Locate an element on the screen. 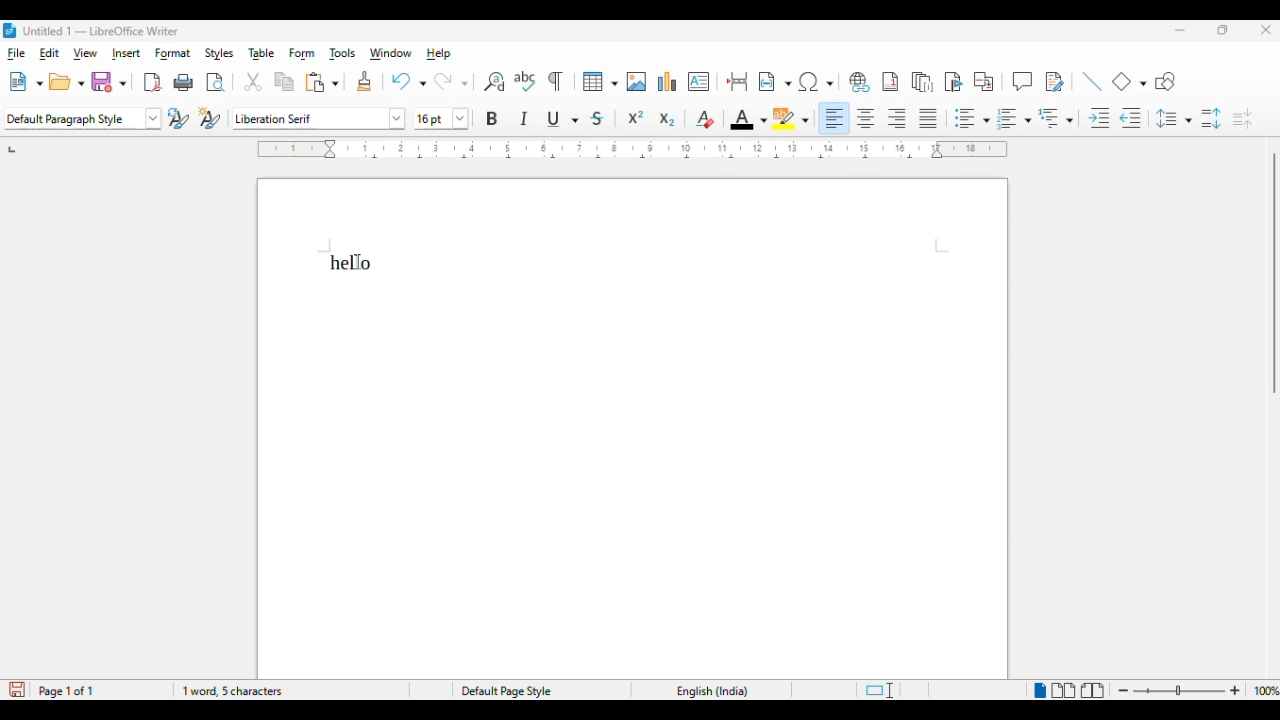 The height and width of the screenshot is (720, 1280). align center is located at coordinates (866, 119).